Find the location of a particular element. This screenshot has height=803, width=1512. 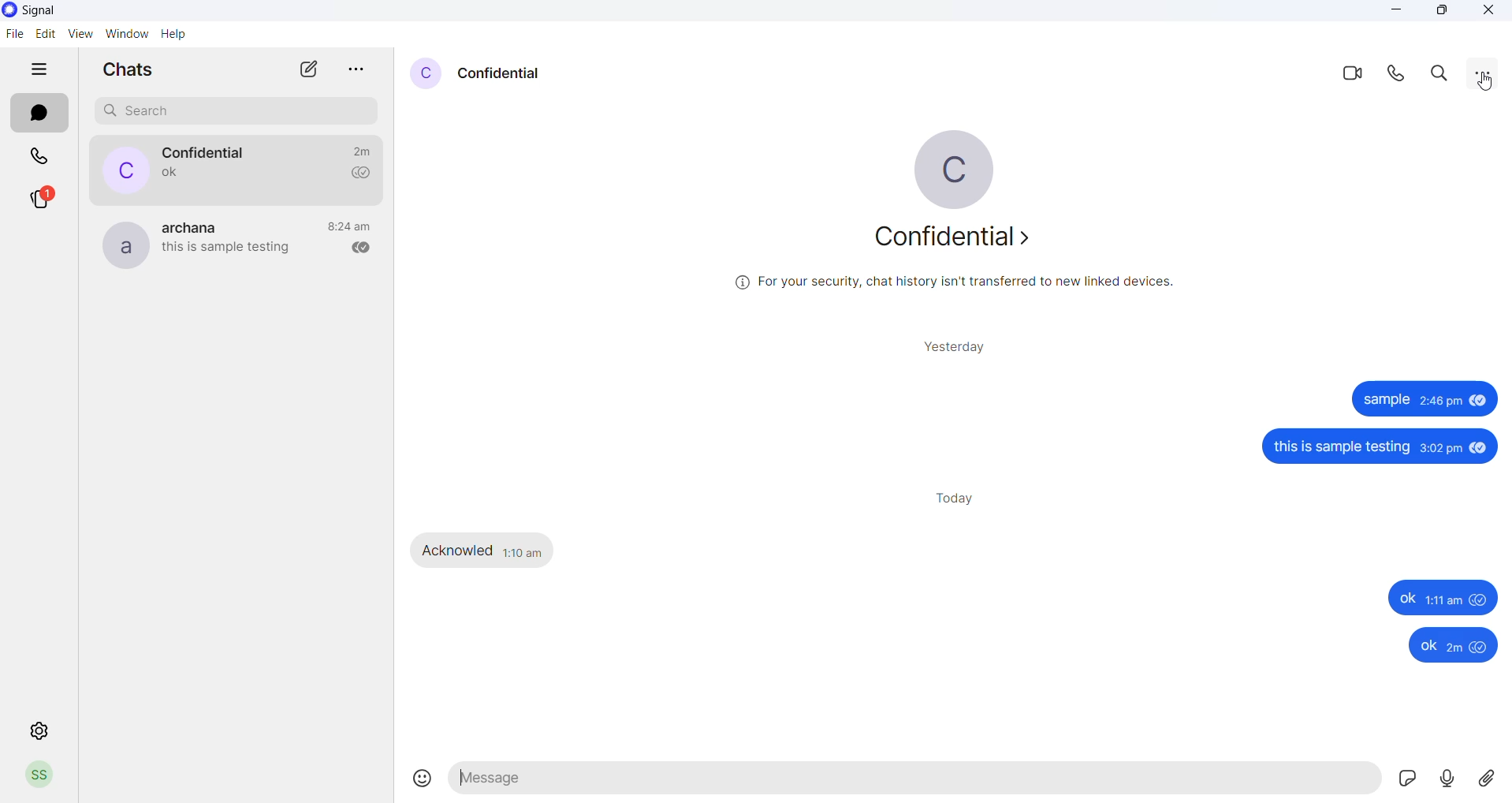

this is sample testing is located at coordinates (1376, 446).